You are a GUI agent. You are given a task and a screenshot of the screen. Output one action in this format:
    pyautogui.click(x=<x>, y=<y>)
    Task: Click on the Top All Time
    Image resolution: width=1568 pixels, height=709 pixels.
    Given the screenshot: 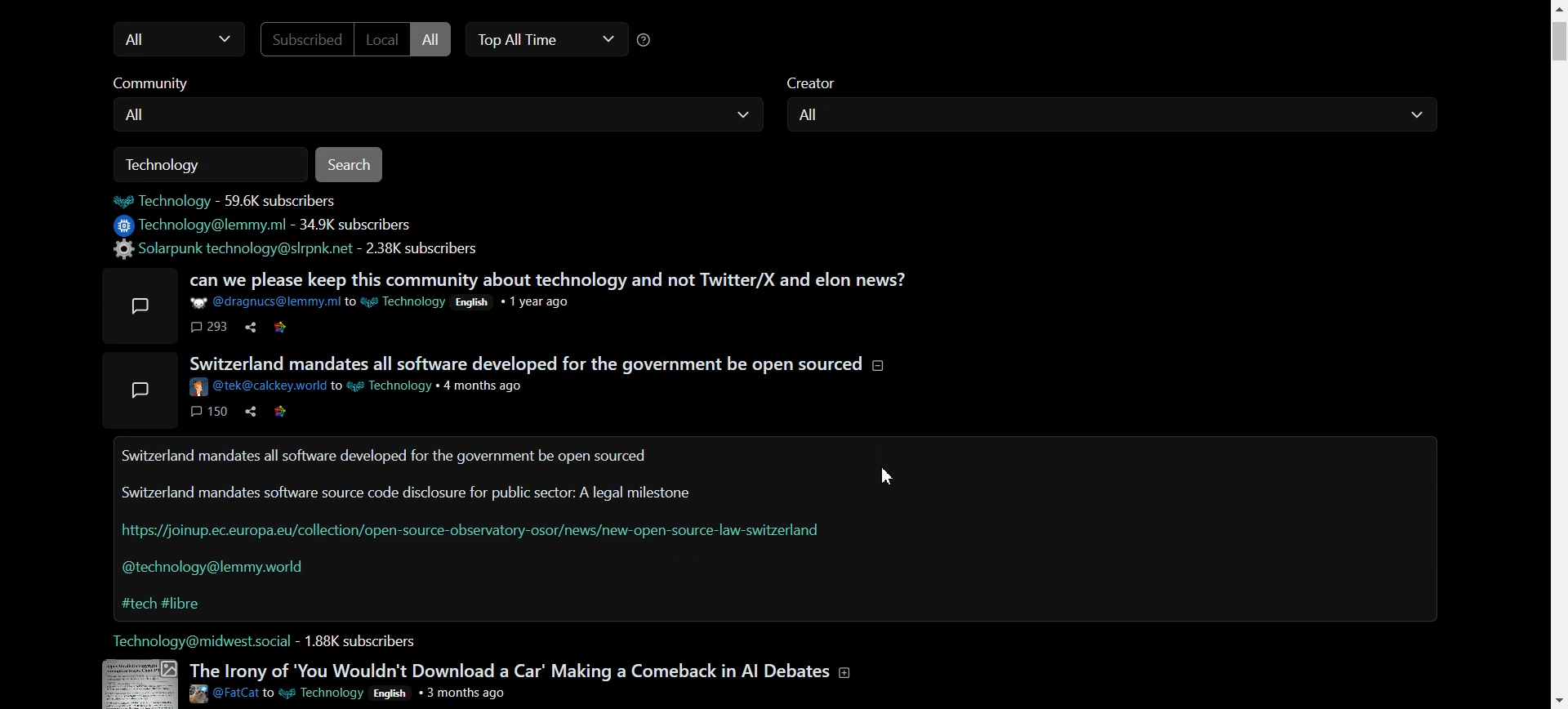 What is the action you would take?
    pyautogui.click(x=547, y=41)
    